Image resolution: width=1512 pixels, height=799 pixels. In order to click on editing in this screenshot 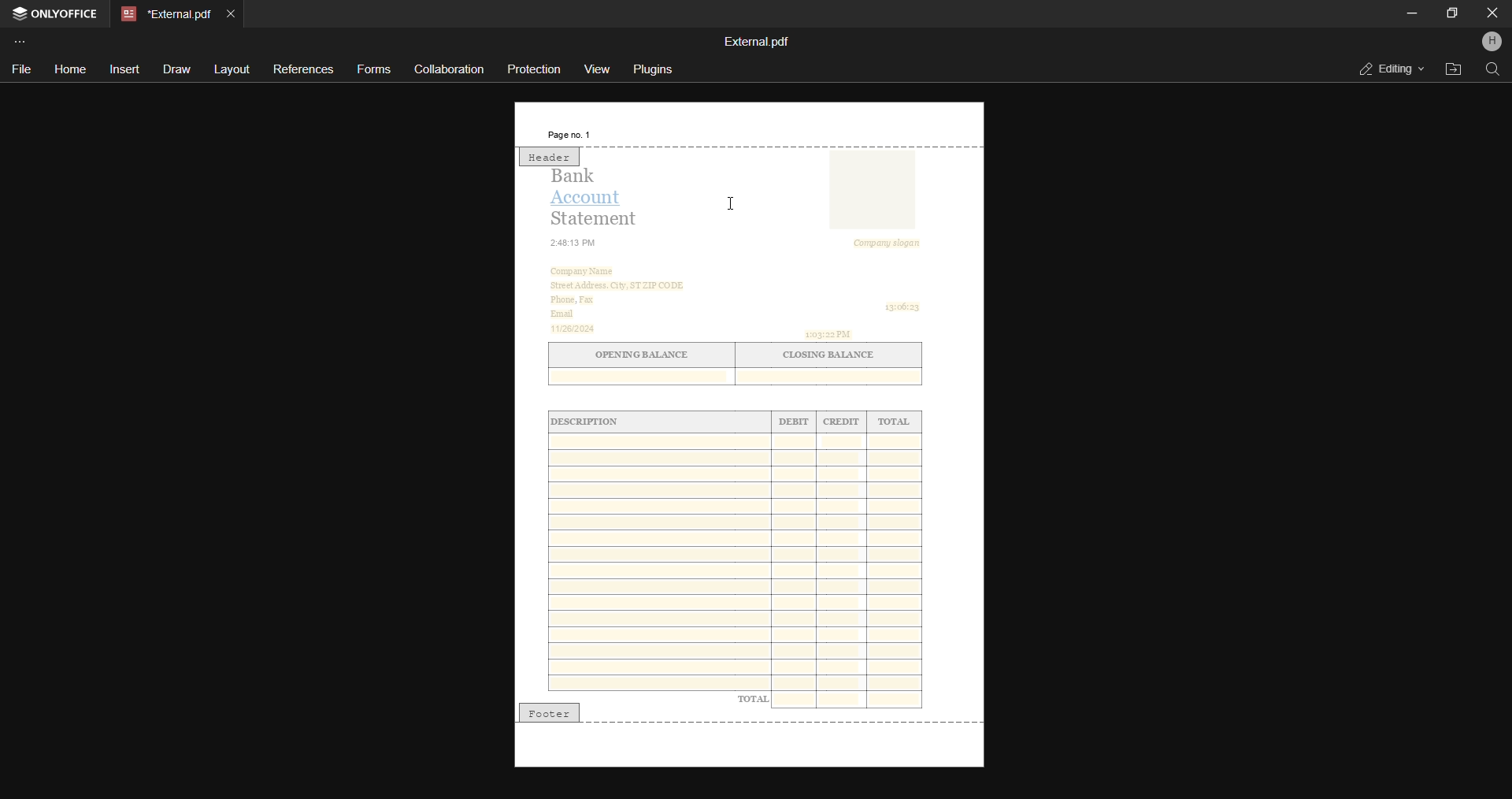, I will do `click(1386, 69)`.